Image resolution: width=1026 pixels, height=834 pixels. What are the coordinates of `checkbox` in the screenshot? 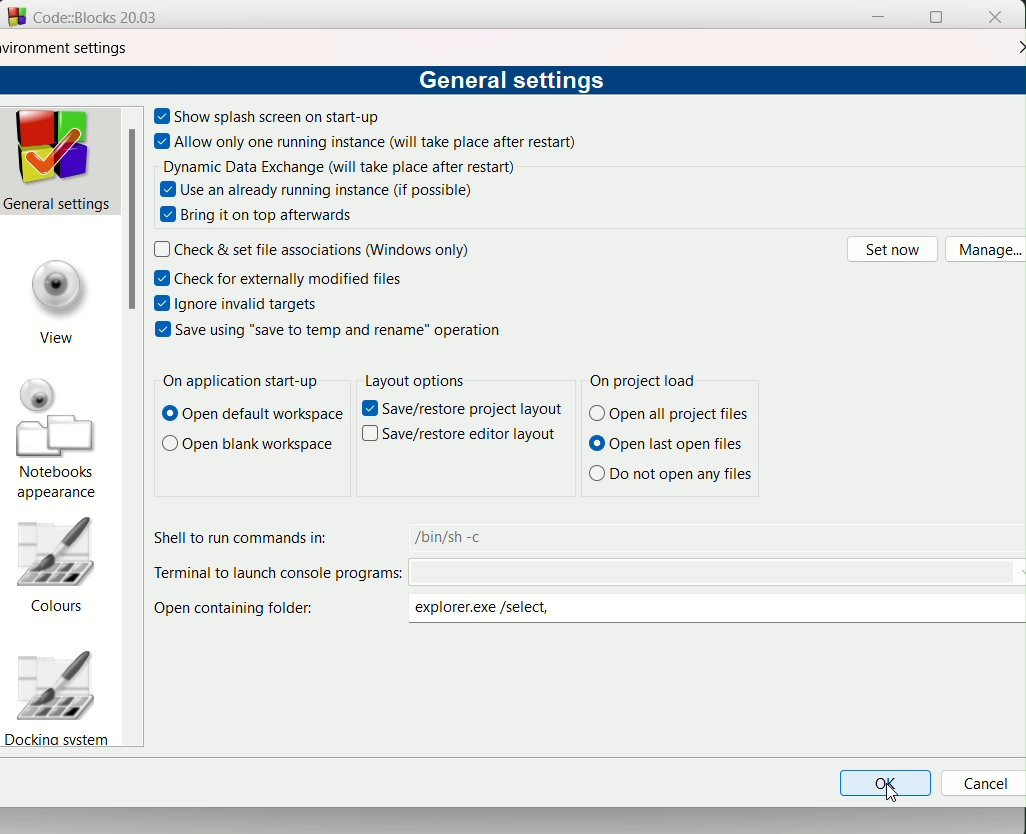 It's located at (168, 216).